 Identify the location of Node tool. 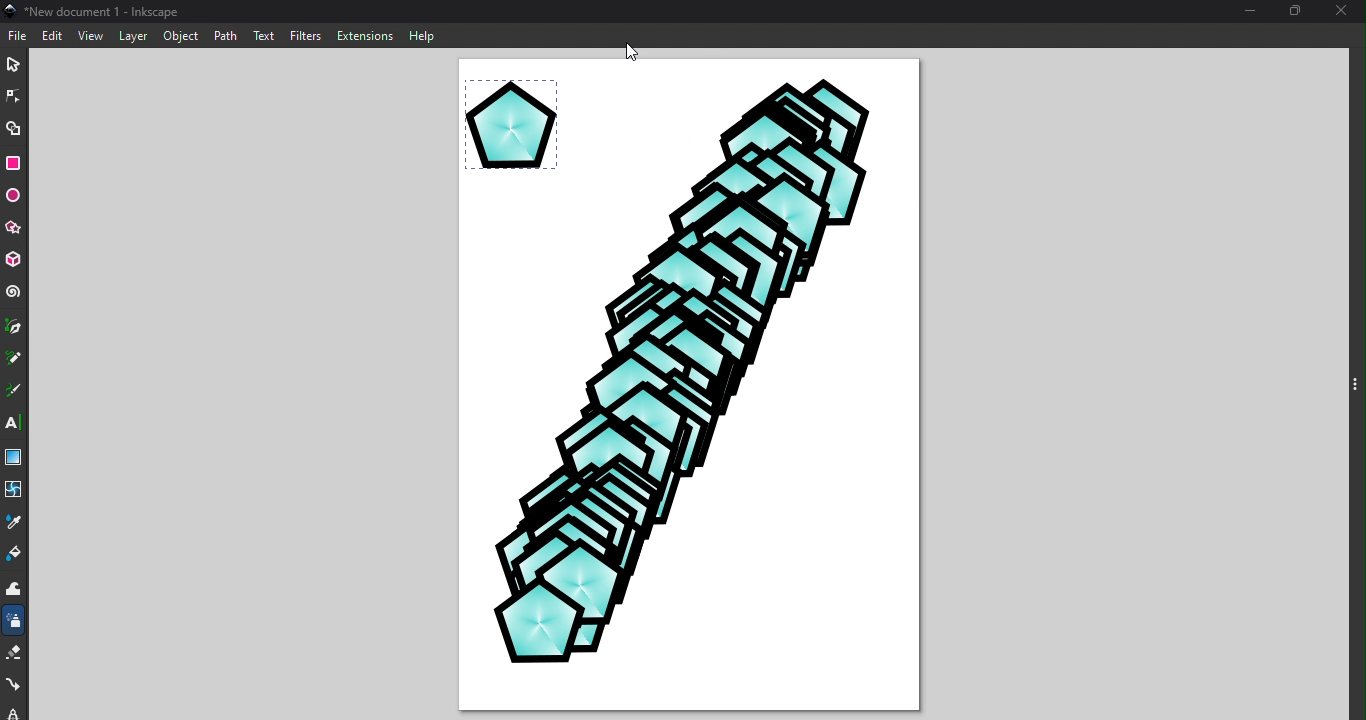
(15, 93).